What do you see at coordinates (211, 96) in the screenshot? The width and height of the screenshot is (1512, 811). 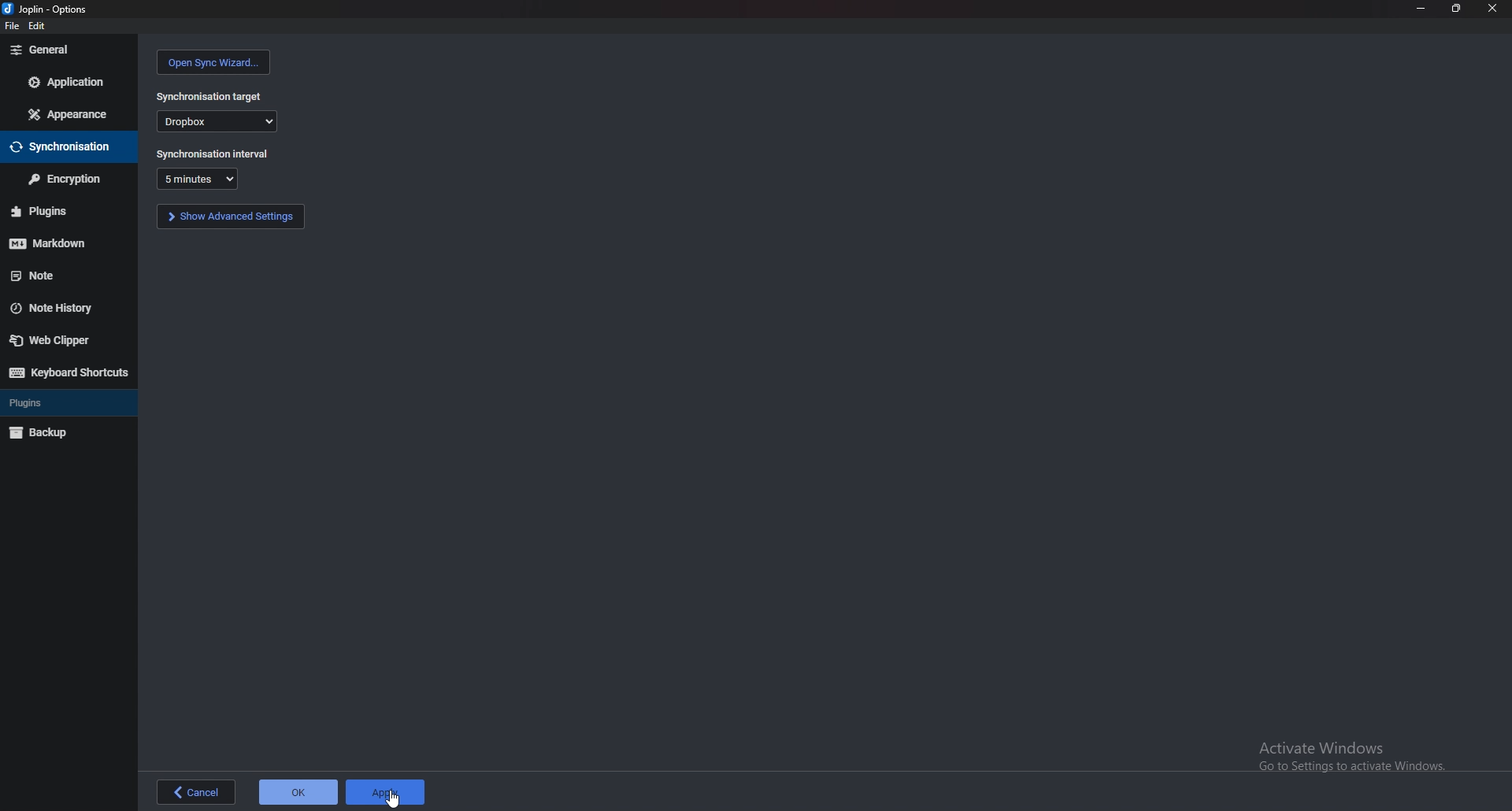 I see `synchronization target` at bounding box center [211, 96].